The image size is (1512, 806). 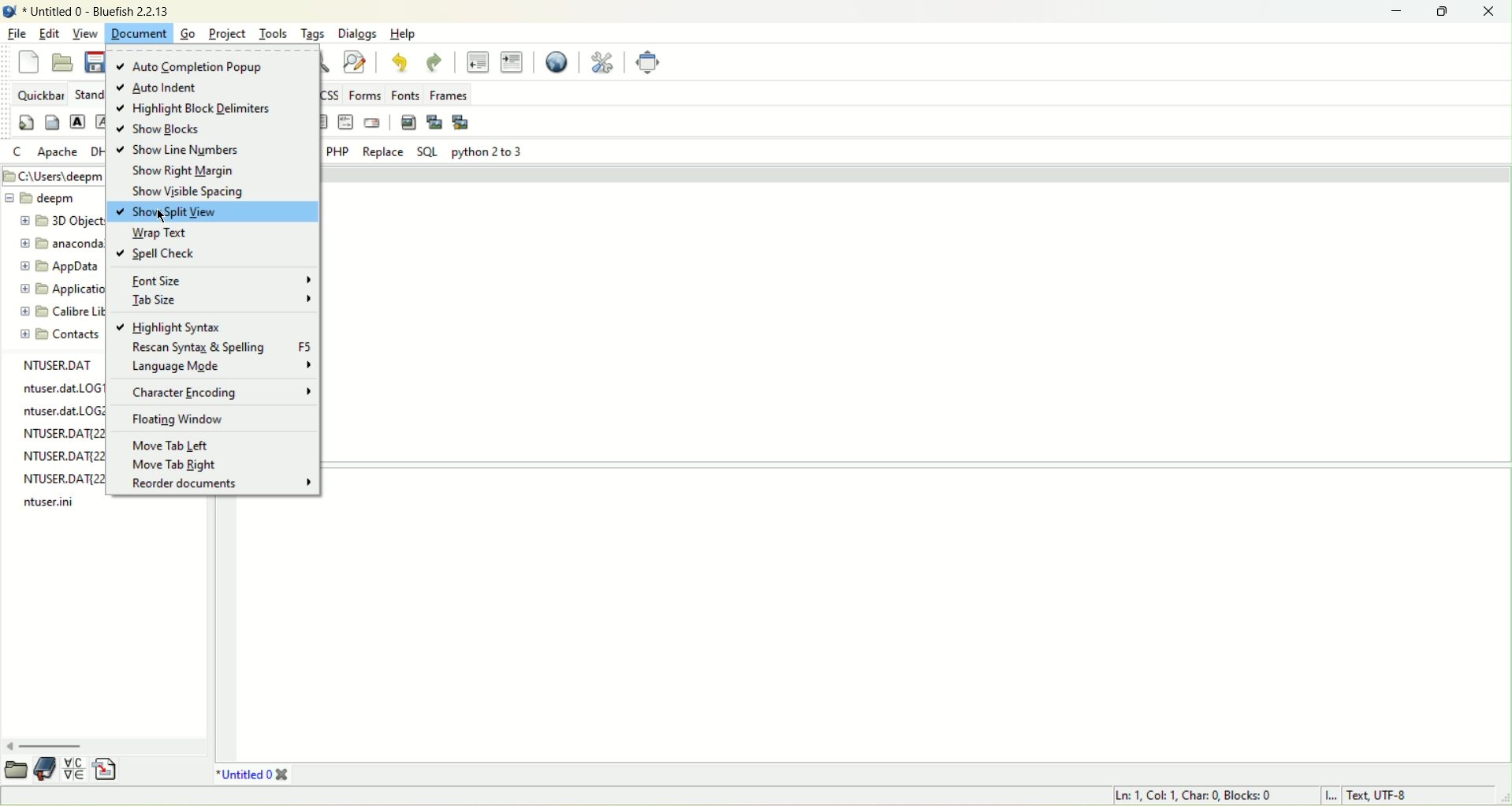 I want to click on insert image, so click(x=408, y=123).